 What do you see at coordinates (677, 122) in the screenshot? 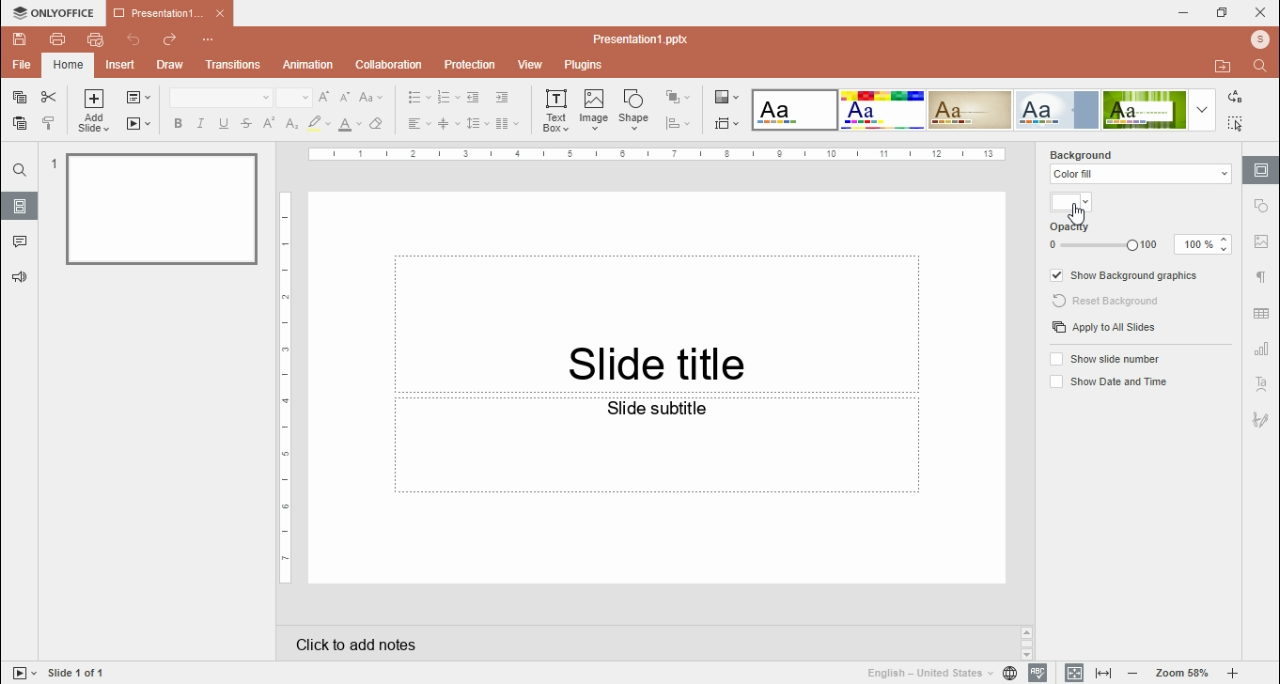
I see `align shapes` at bounding box center [677, 122].